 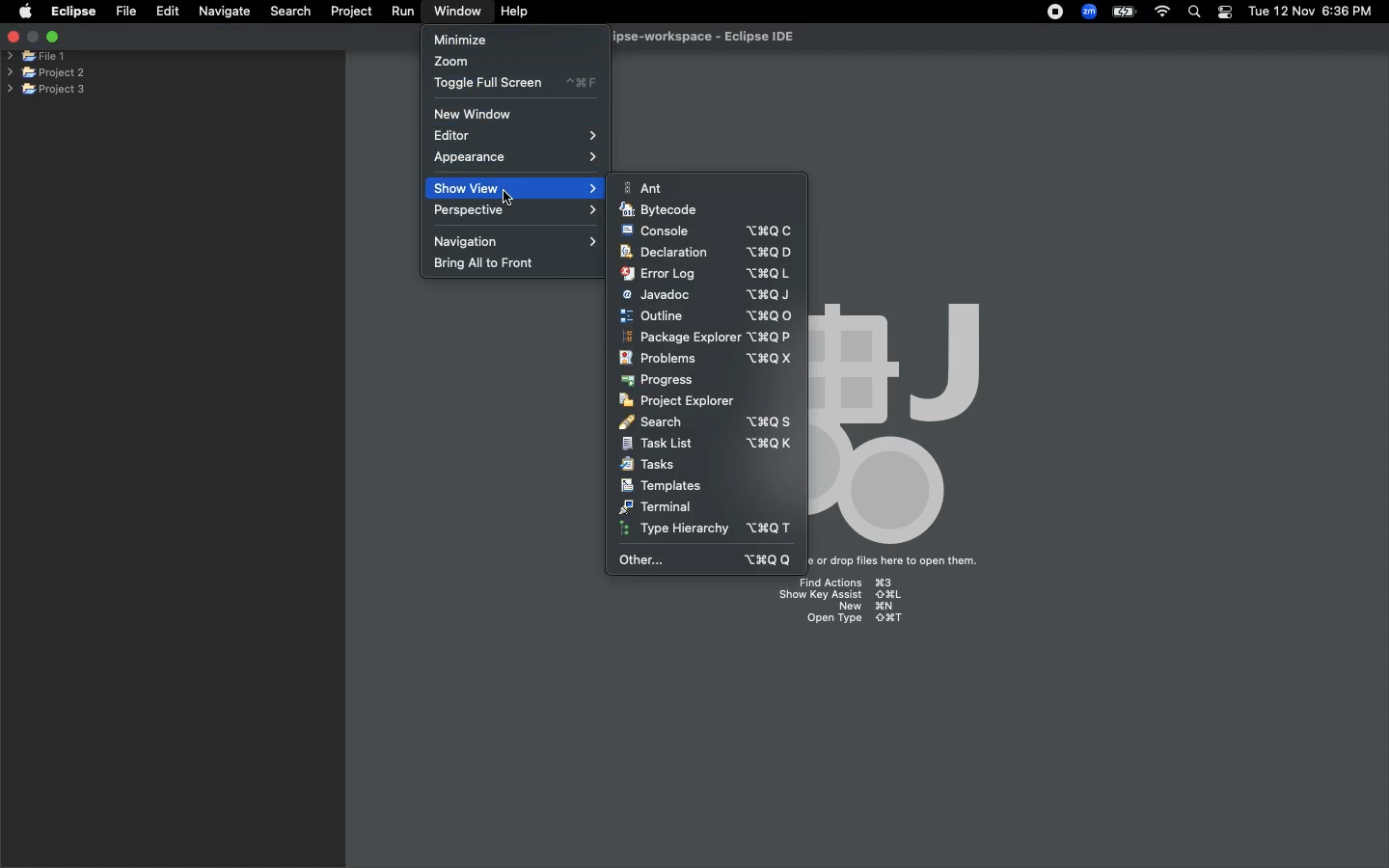 I want to click on Editor, so click(x=520, y=136).